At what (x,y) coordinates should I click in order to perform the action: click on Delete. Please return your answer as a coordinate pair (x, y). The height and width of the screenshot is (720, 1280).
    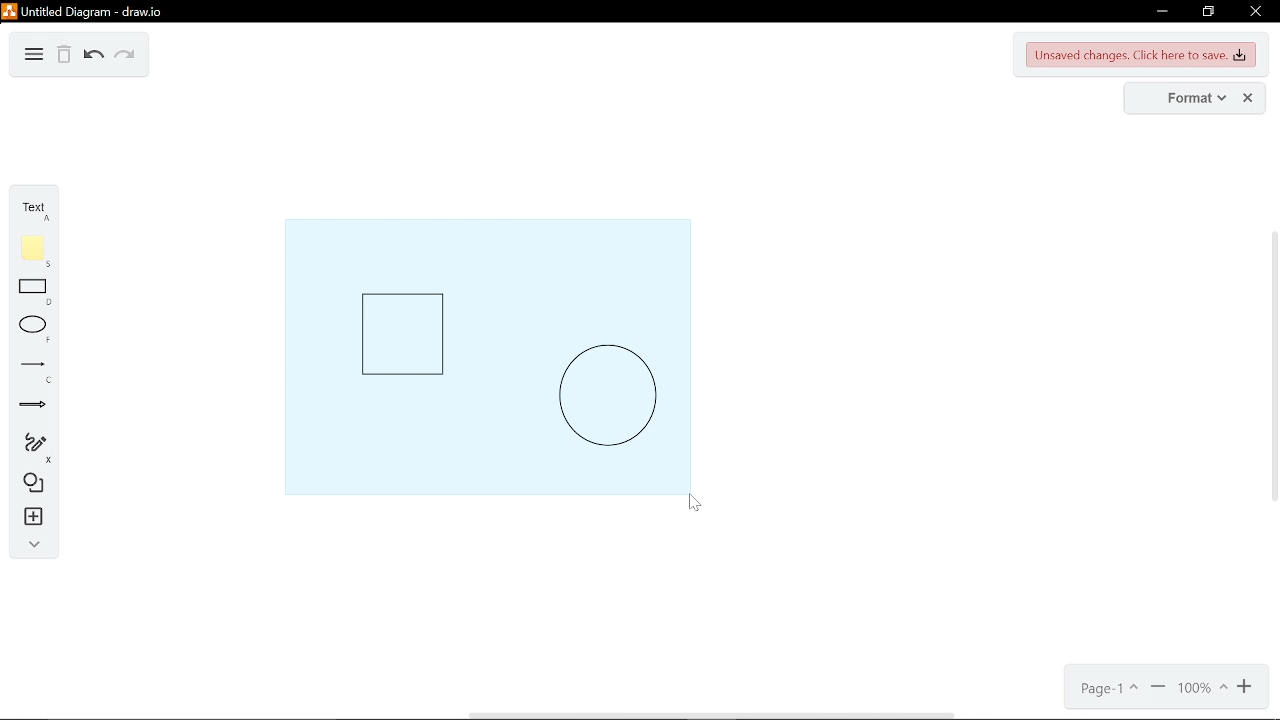
    Looking at the image, I should click on (64, 56).